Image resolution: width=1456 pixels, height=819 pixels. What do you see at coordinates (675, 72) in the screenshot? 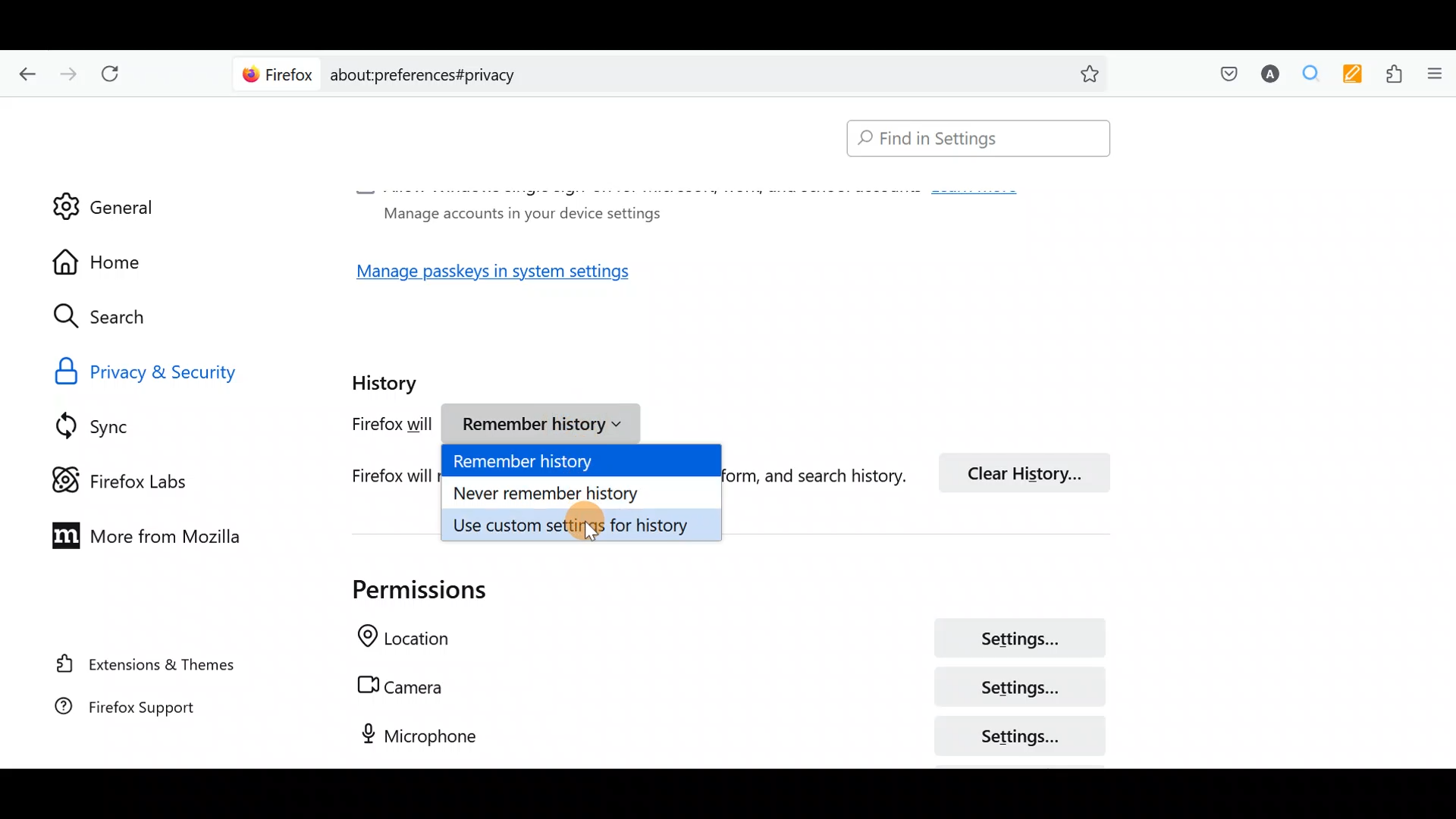
I see `Search bar` at bounding box center [675, 72].